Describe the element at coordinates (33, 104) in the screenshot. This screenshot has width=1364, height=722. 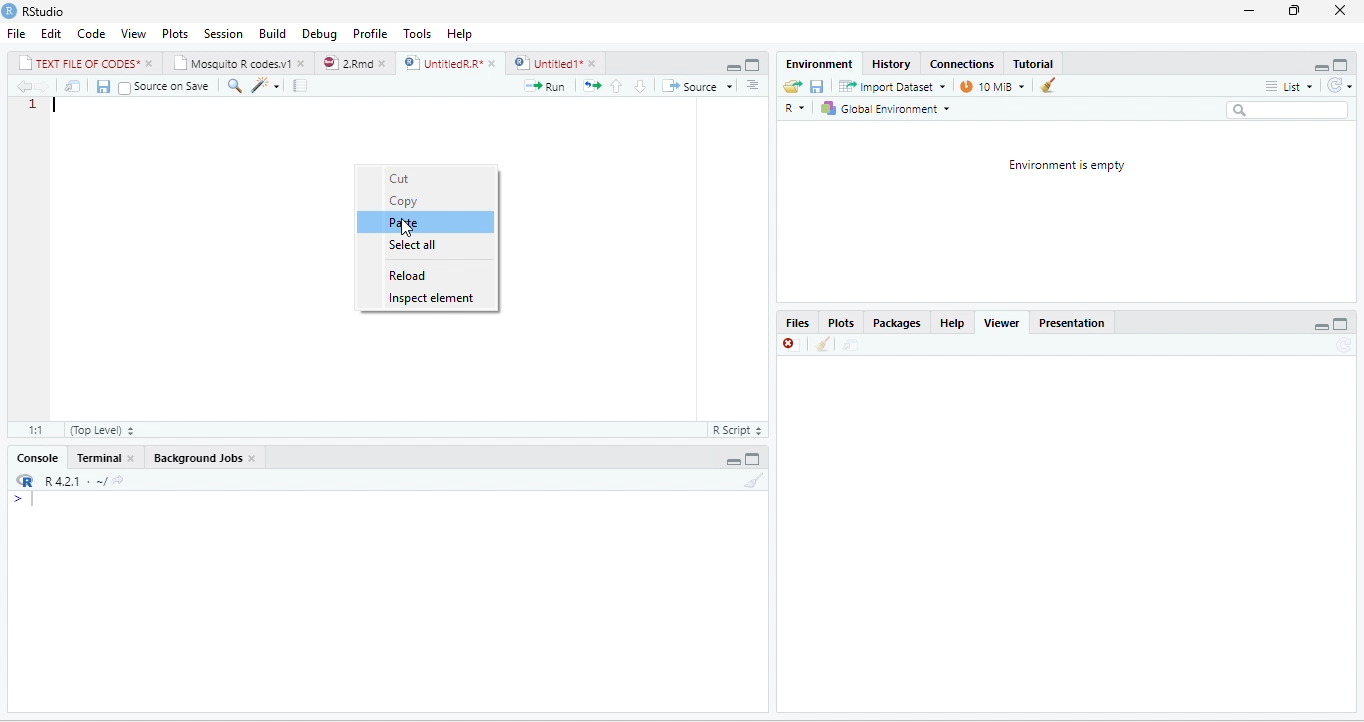
I see `1` at that location.